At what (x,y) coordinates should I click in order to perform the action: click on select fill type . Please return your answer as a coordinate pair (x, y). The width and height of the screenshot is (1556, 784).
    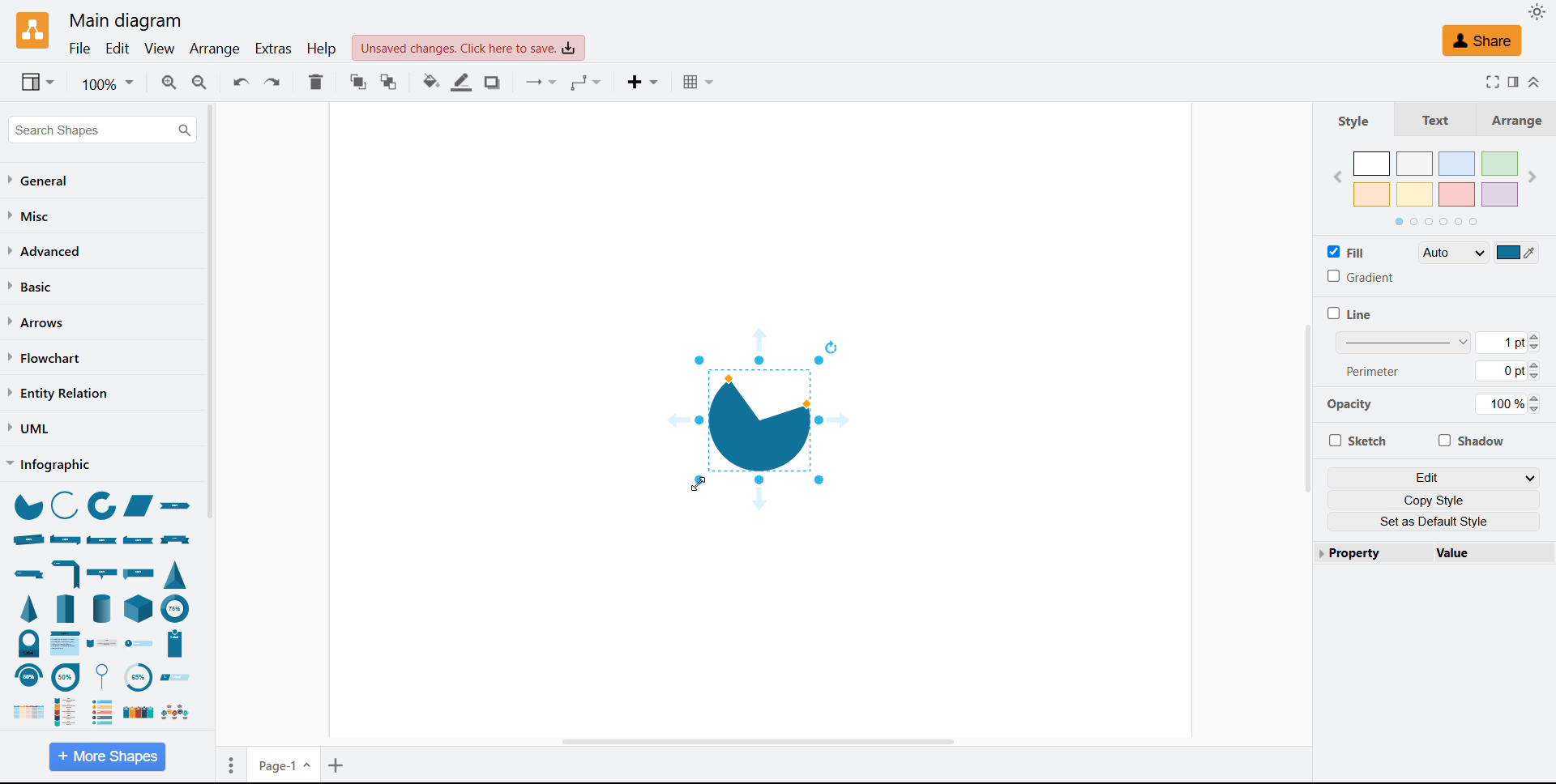
    Looking at the image, I should click on (1453, 252).